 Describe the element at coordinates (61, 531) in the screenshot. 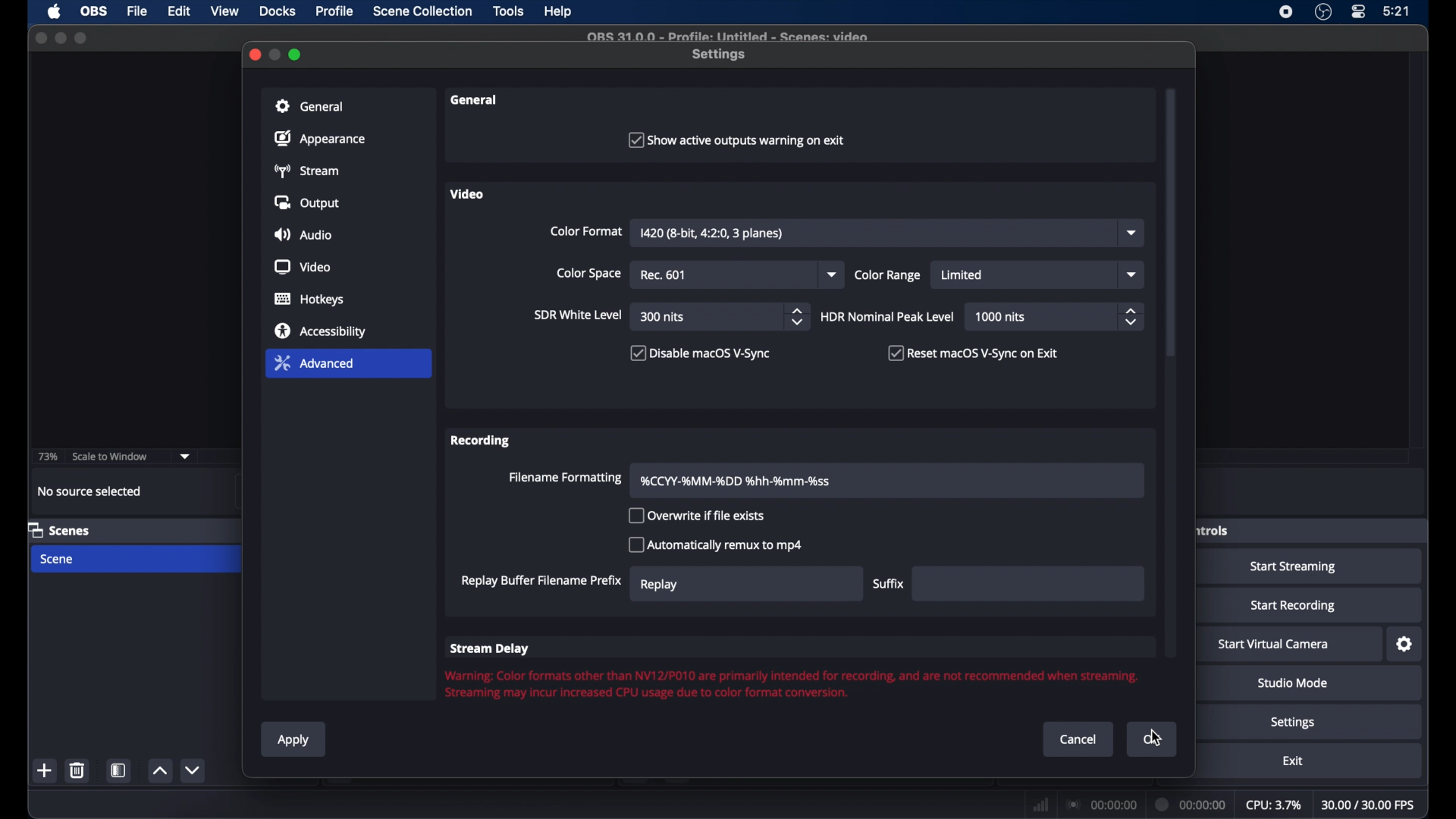

I see `scenes` at that location.